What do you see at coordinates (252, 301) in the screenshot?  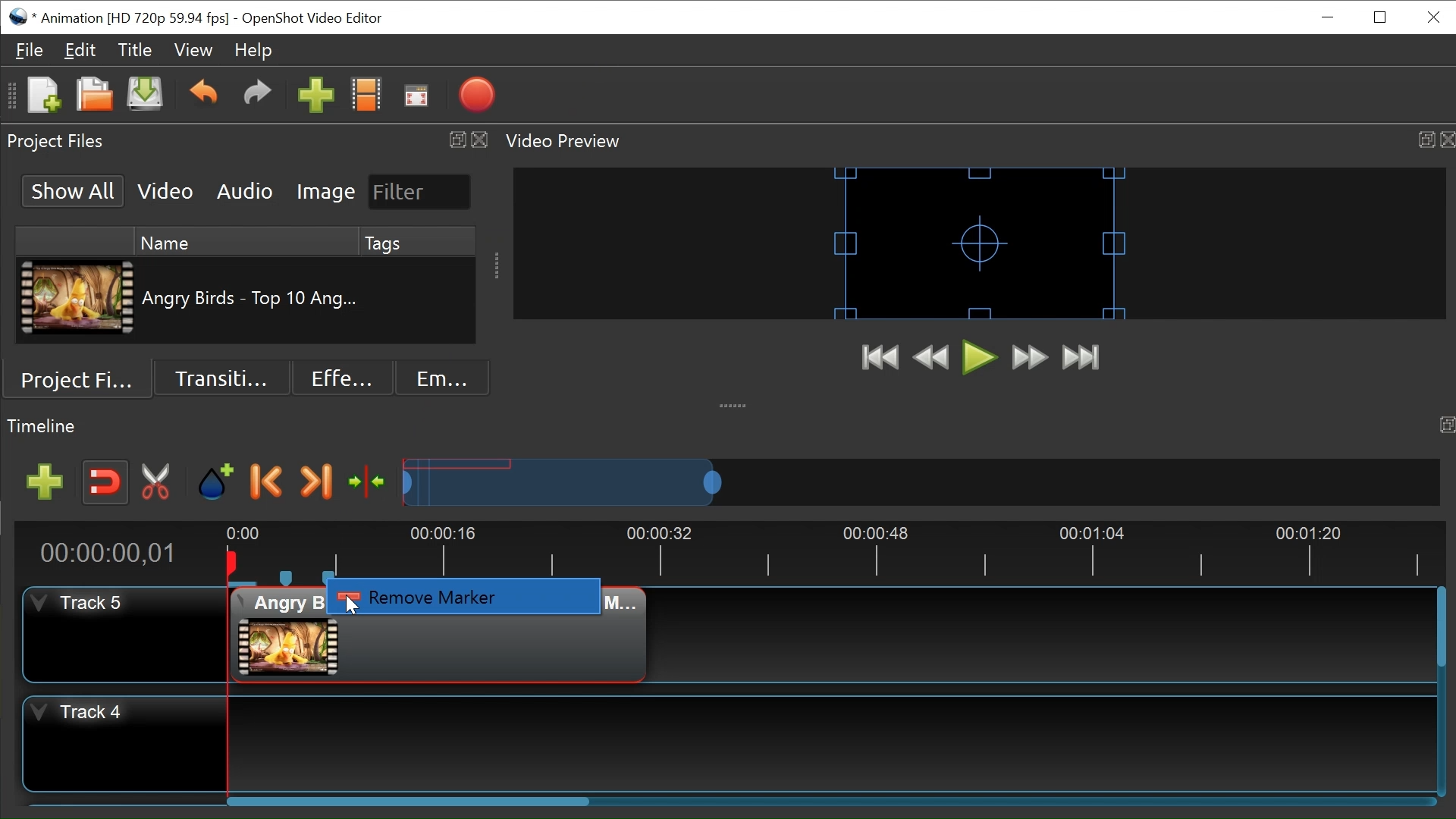 I see `Clip Nmae` at bounding box center [252, 301].